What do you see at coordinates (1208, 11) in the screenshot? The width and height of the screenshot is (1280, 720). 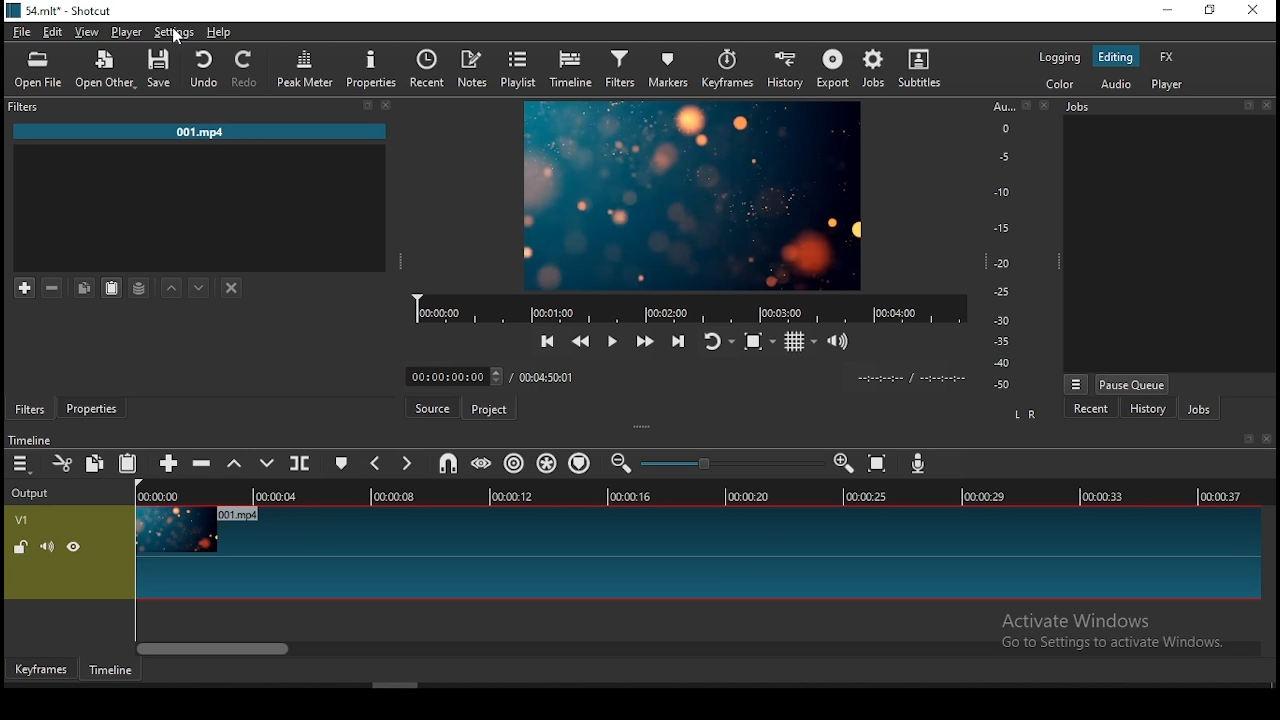 I see `restore` at bounding box center [1208, 11].